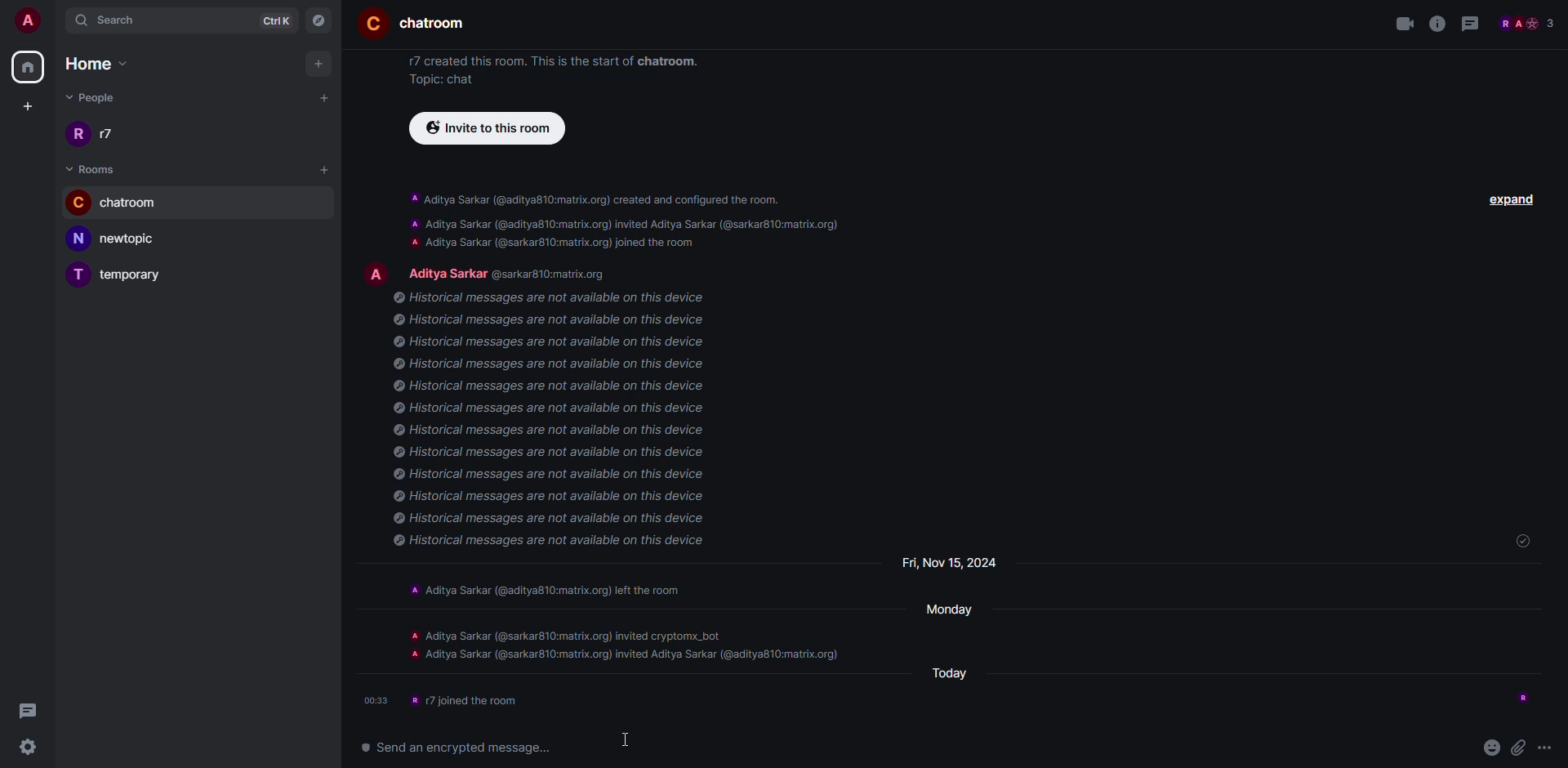  I want to click on add, so click(326, 96).